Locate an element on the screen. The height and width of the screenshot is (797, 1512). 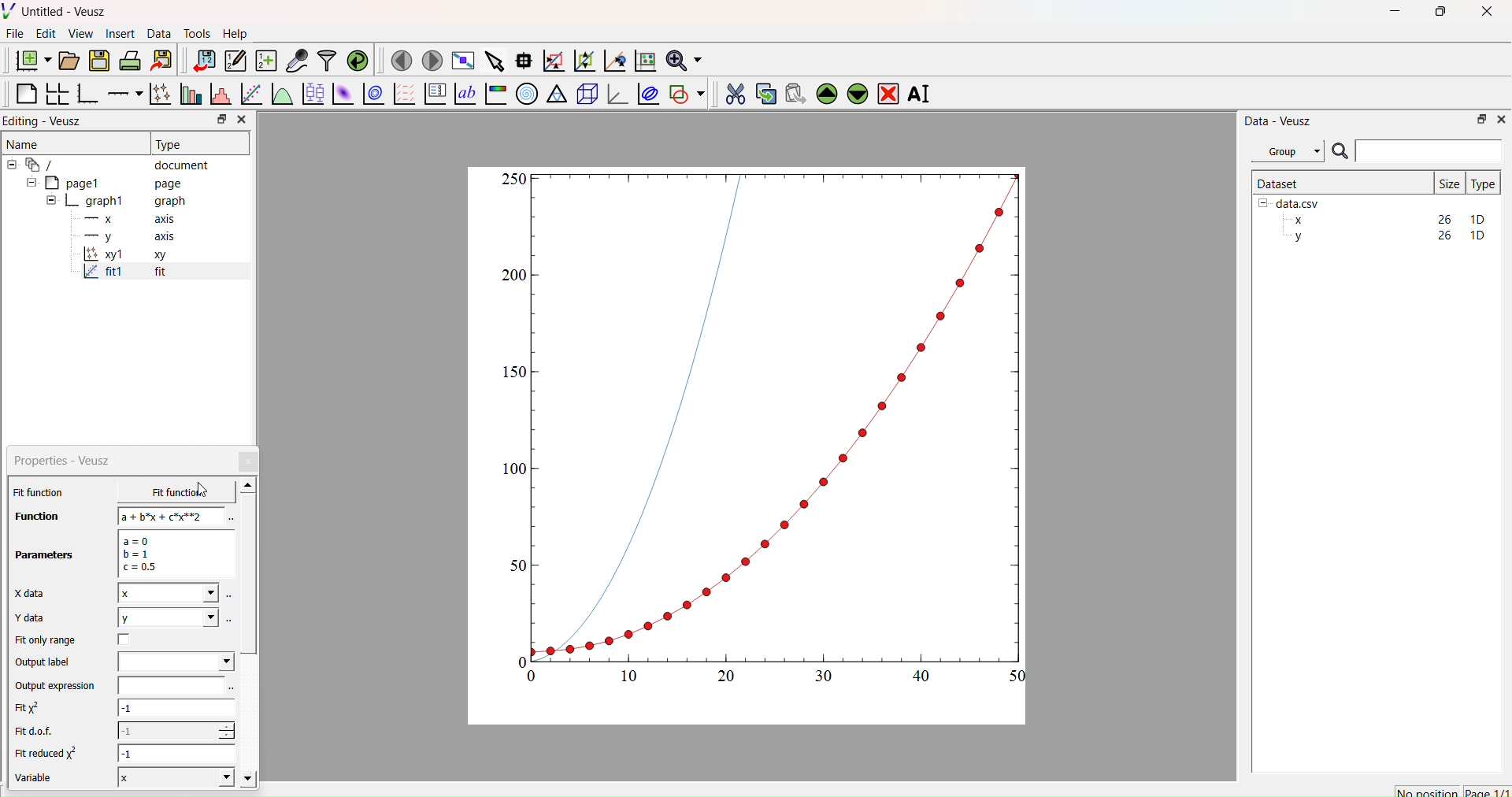
Select using dataset browser is located at coordinates (232, 689).